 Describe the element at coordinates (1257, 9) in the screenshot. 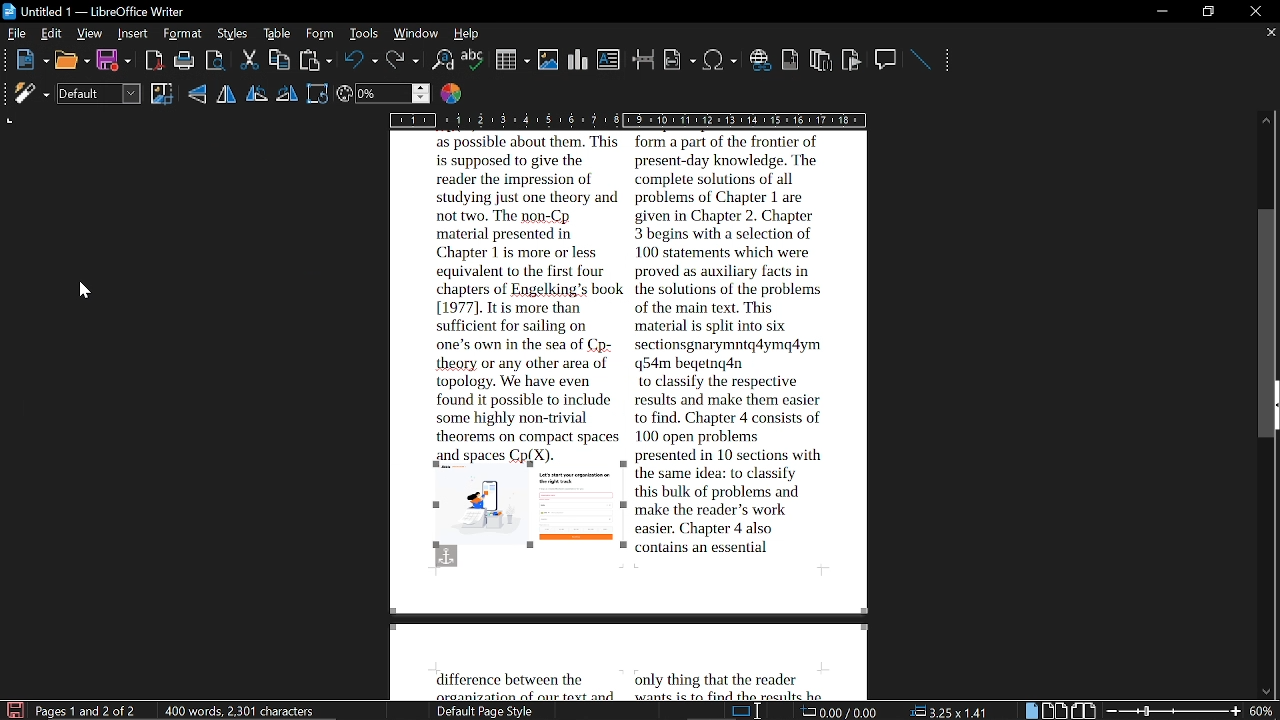

I see `close` at that location.